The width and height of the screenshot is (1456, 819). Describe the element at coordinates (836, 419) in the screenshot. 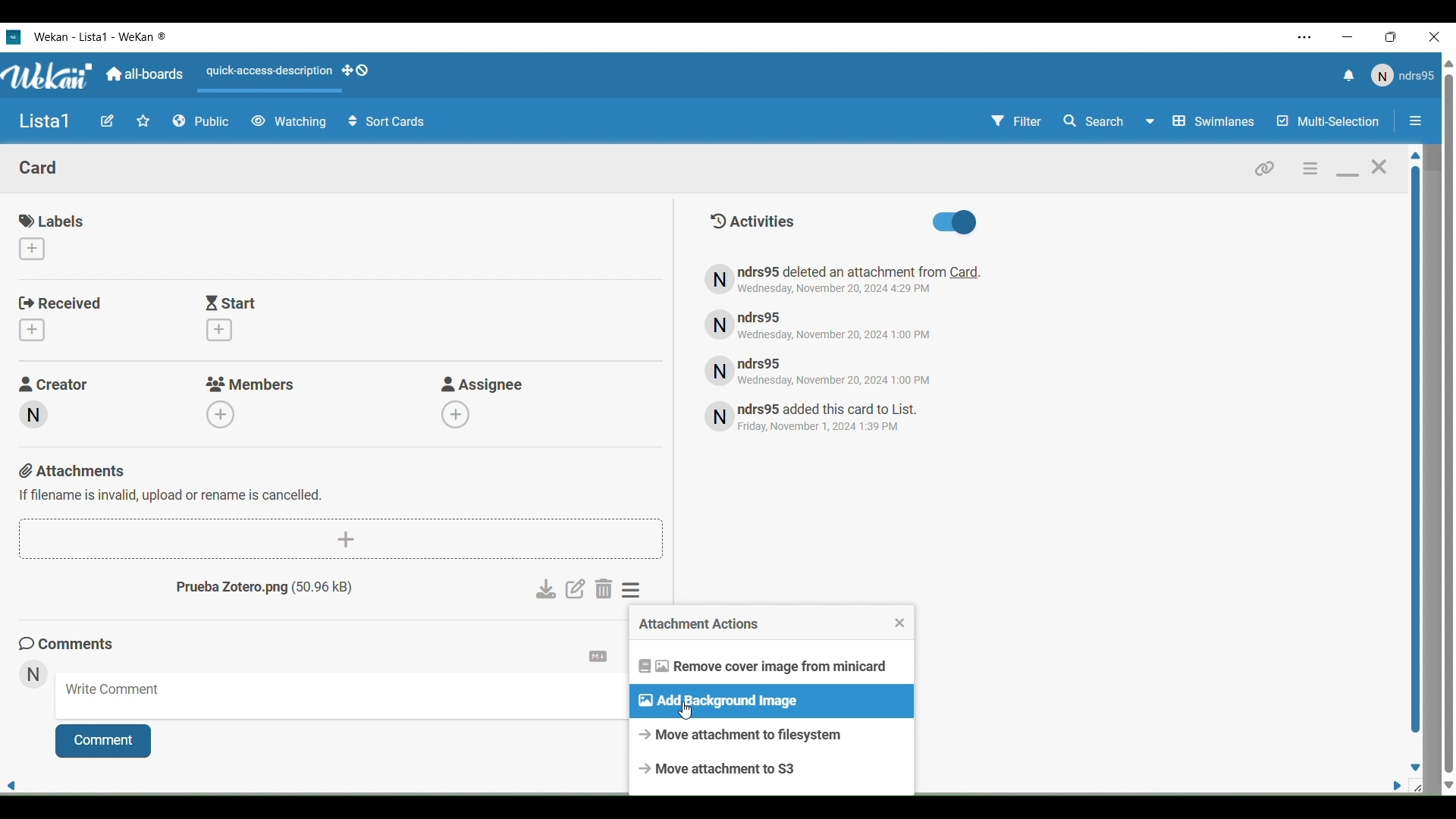

I see `Text` at that location.